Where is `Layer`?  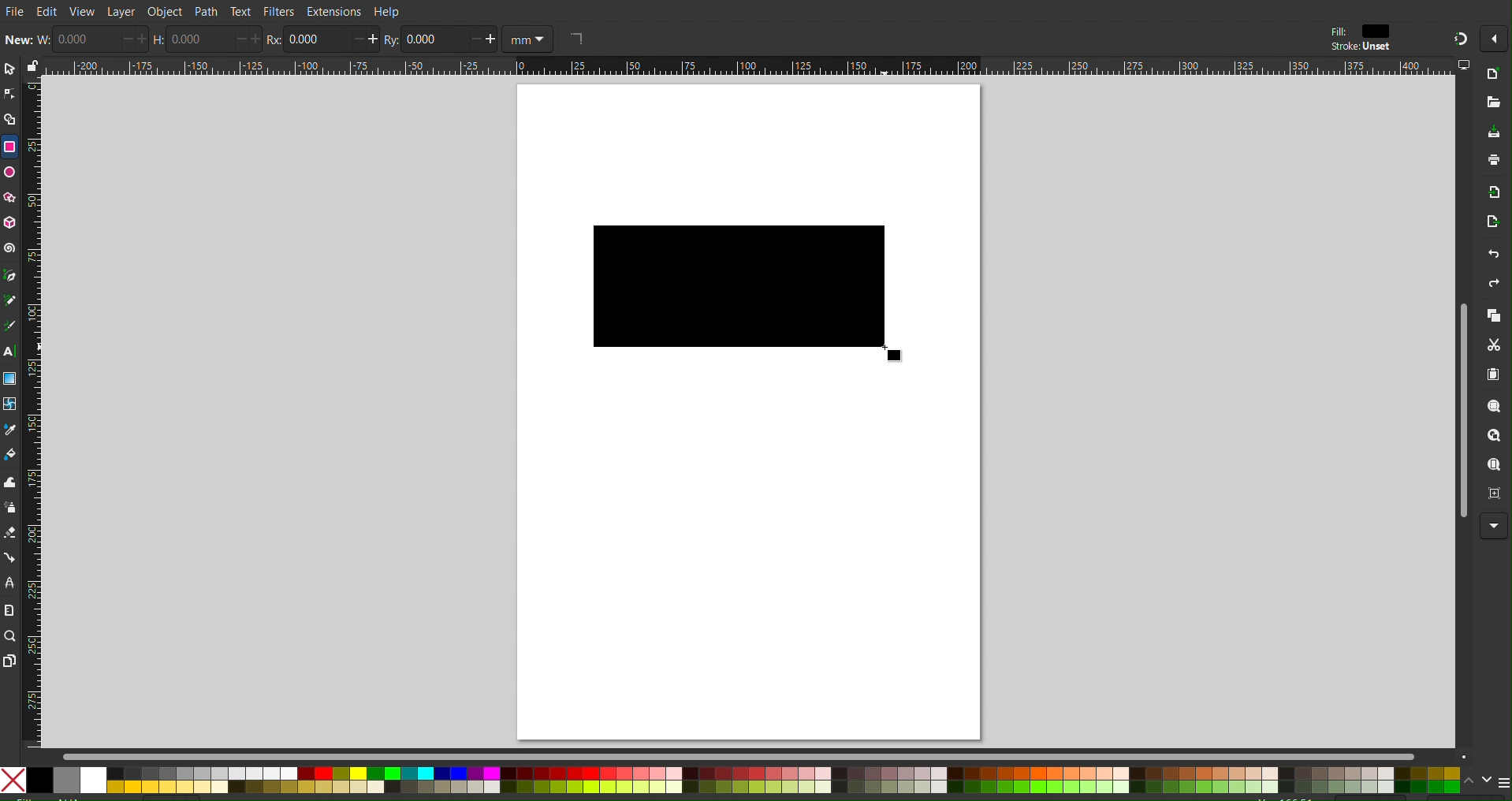
Layer is located at coordinates (120, 10).